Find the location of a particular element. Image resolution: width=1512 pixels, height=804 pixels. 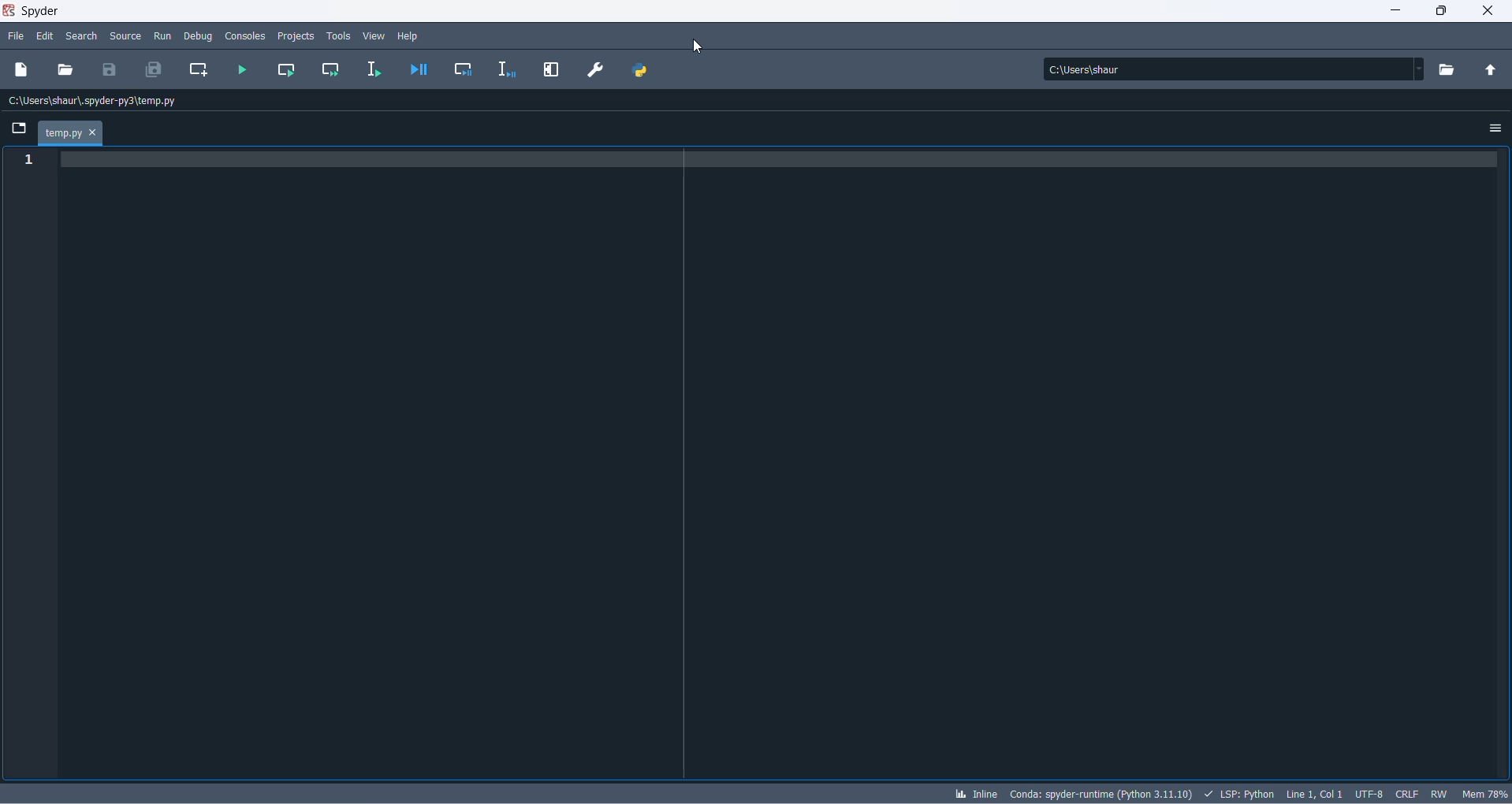

debug cell is located at coordinates (464, 71).